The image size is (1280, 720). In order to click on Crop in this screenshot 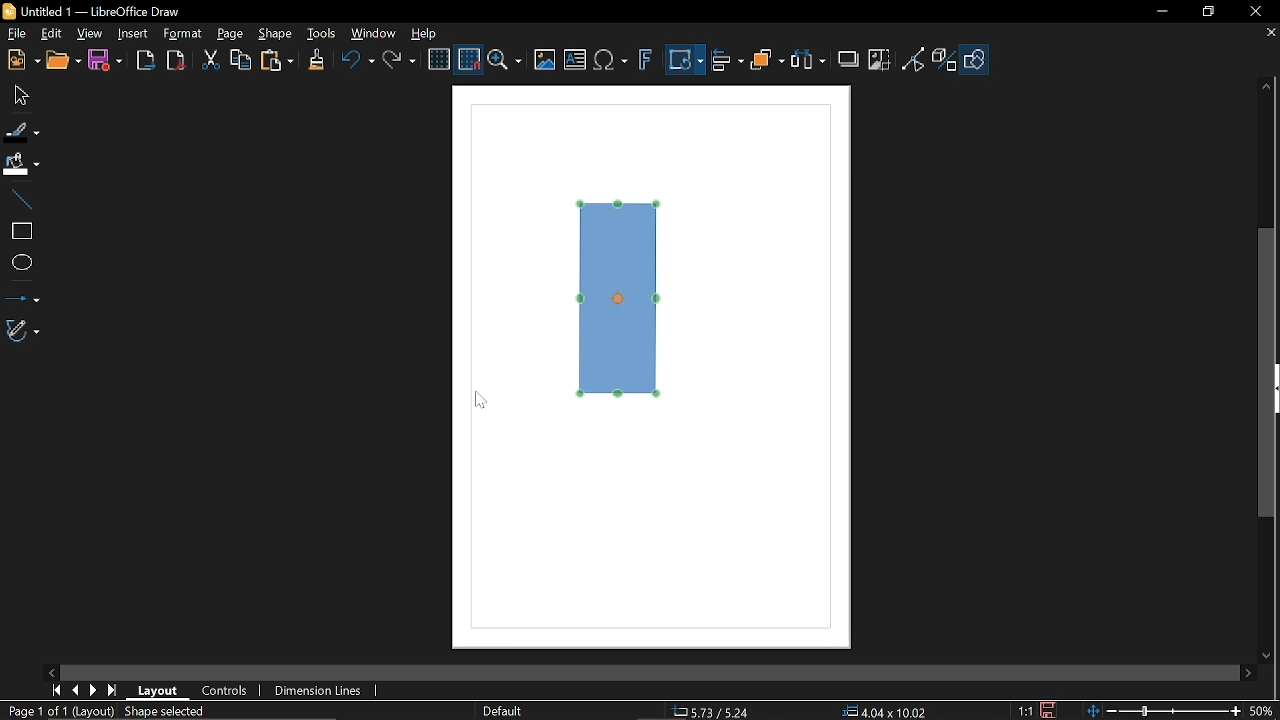, I will do `click(881, 61)`.